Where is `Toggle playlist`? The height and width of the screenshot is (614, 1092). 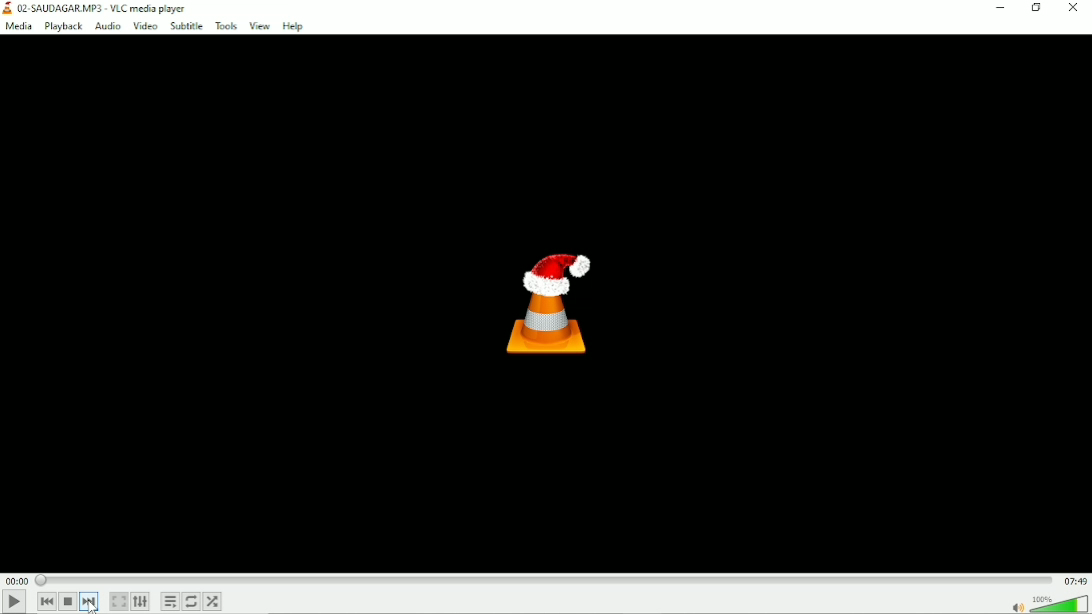 Toggle playlist is located at coordinates (169, 601).